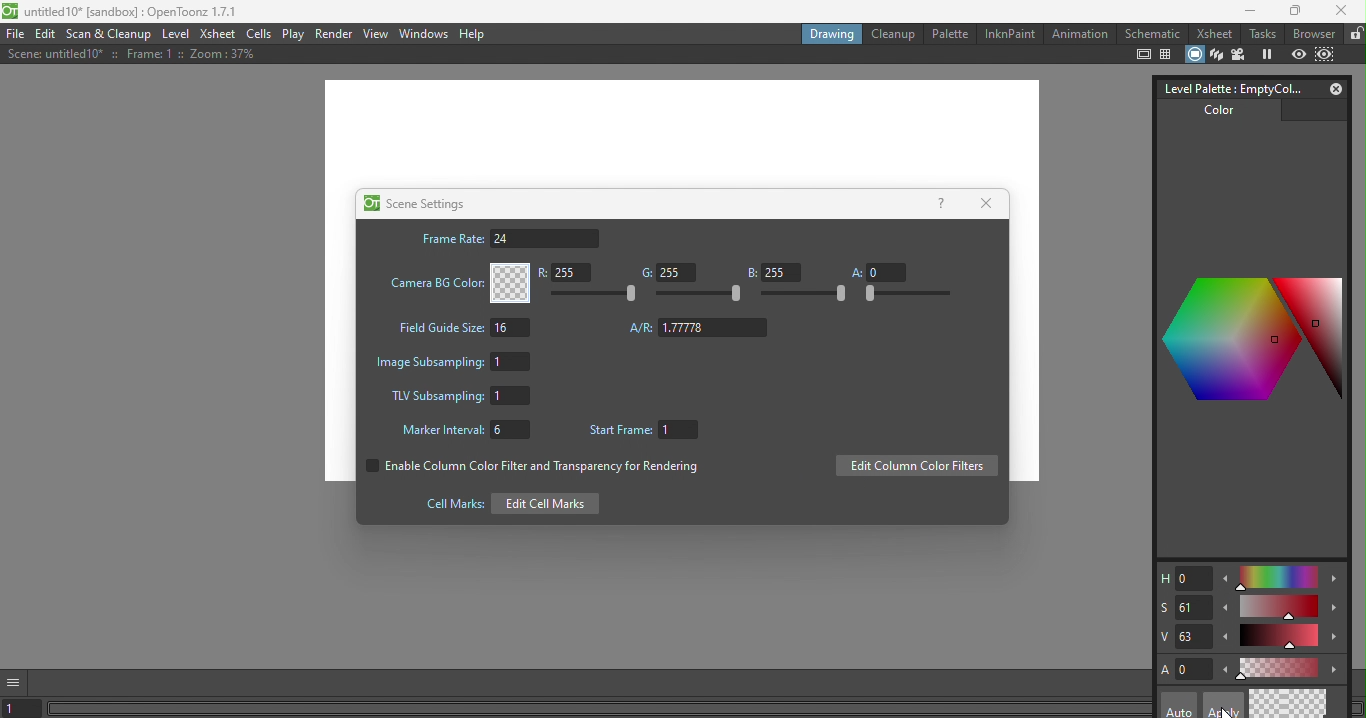 The width and height of the screenshot is (1366, 718). What do you see at coordinates (598, 294) in the screenshot?
I see `Slide bar` at bounding box center [598, 294].